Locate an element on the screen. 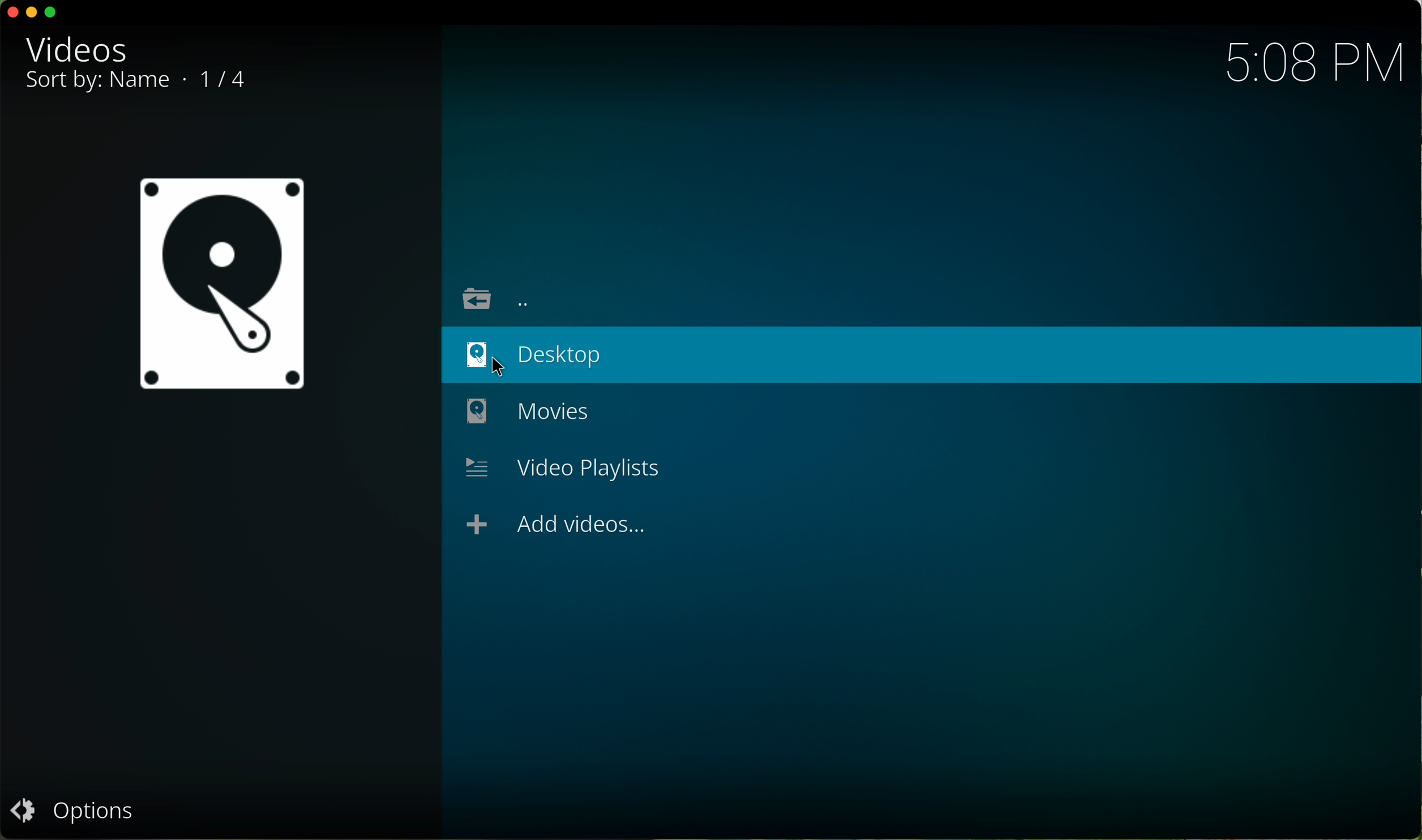 The height and width of the screenshot is (840, 1422). video playlists is located at coordinates (569, 469).